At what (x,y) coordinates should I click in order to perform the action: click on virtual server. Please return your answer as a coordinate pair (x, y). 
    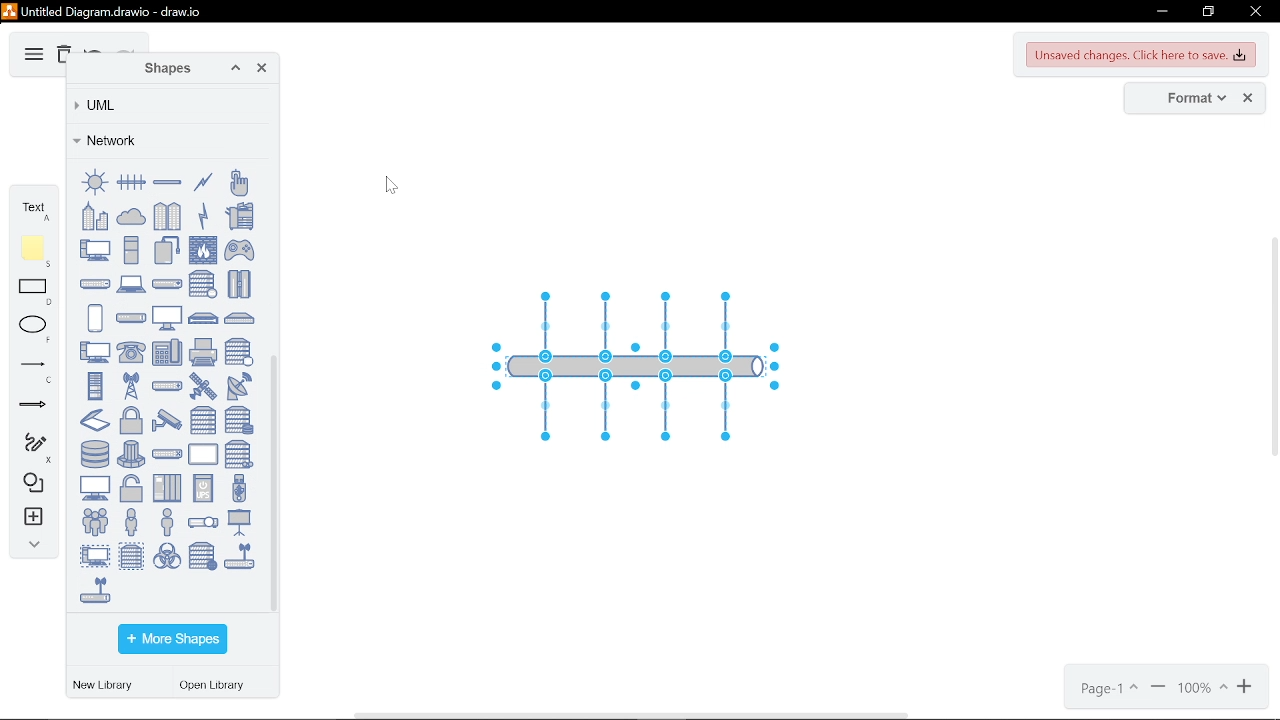
    Looking at the image, I should click on (131, 555).